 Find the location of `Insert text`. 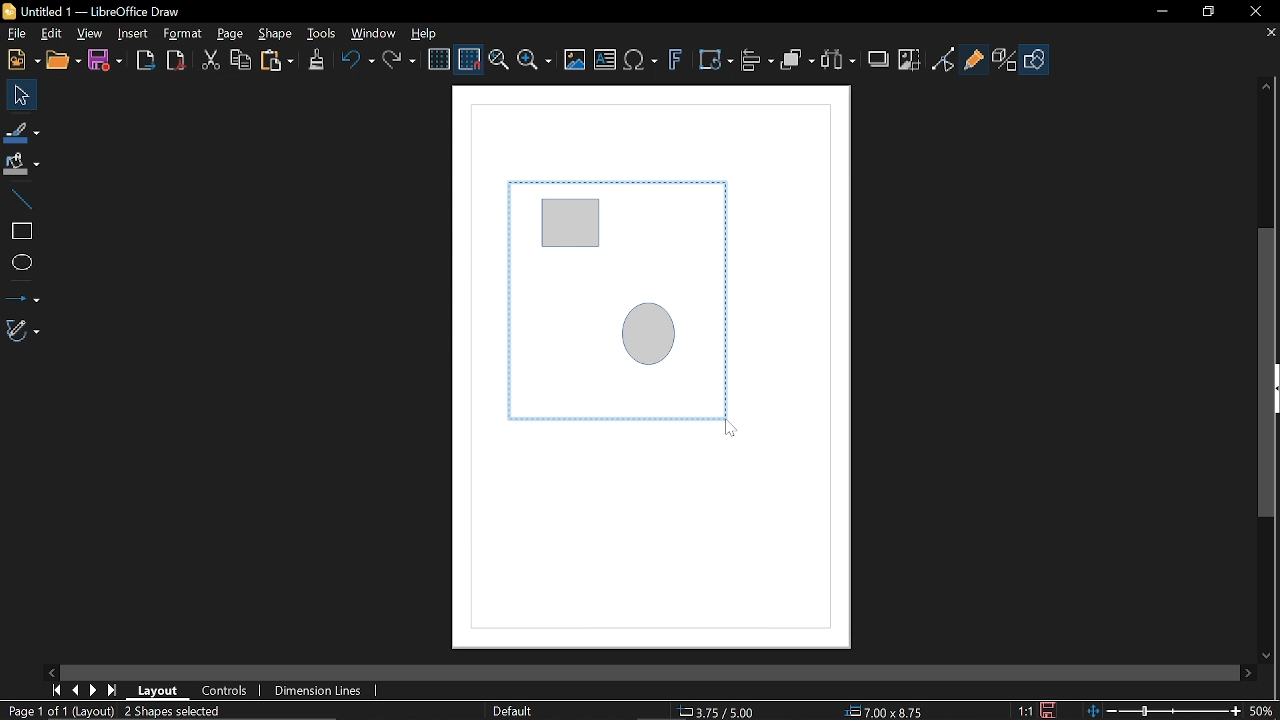

Insert text is located at coordinates (606, 60).